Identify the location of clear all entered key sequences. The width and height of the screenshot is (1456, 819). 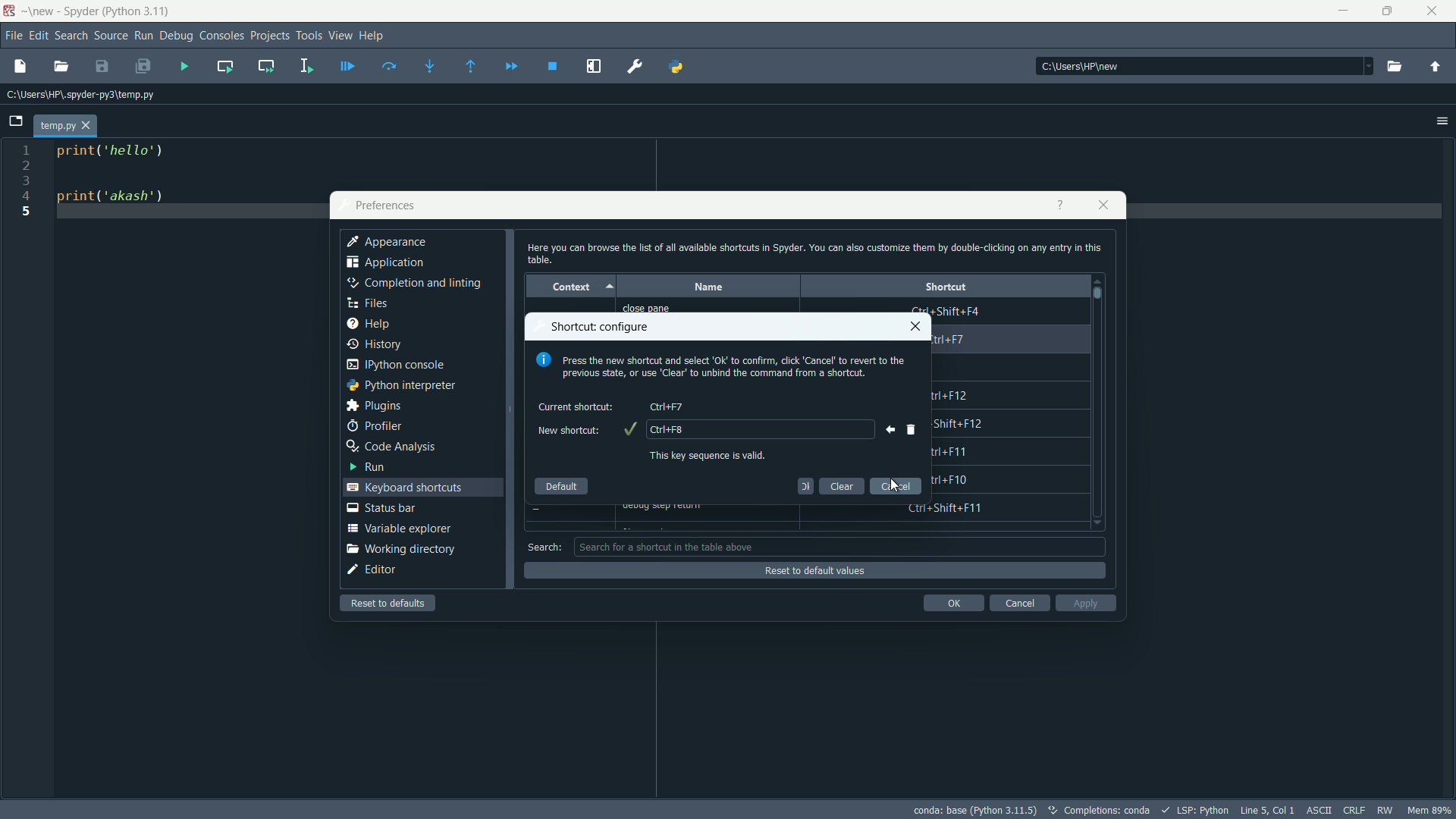
(912, 429).